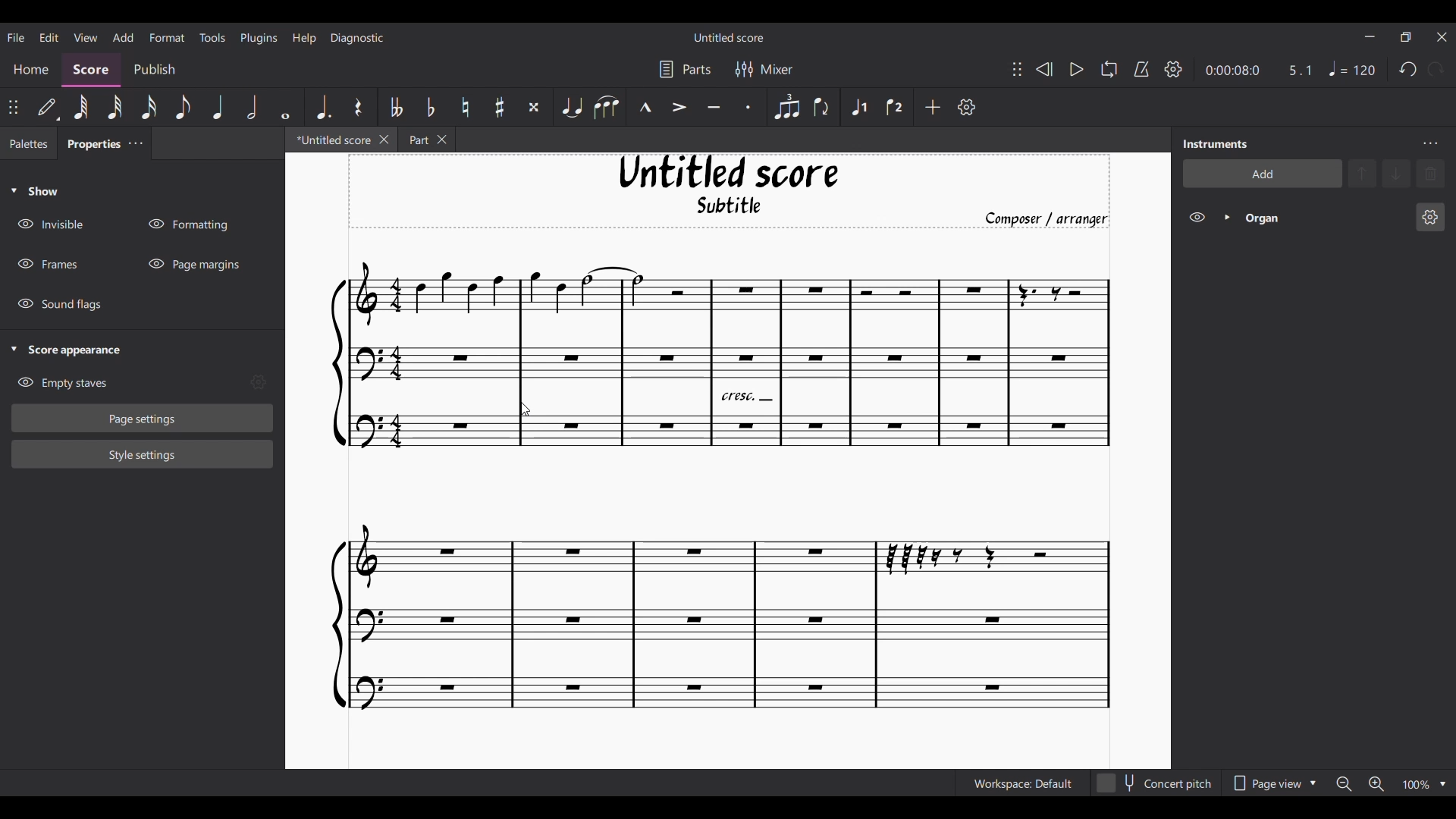  I want to click on Minimize, so click(1370, 36).